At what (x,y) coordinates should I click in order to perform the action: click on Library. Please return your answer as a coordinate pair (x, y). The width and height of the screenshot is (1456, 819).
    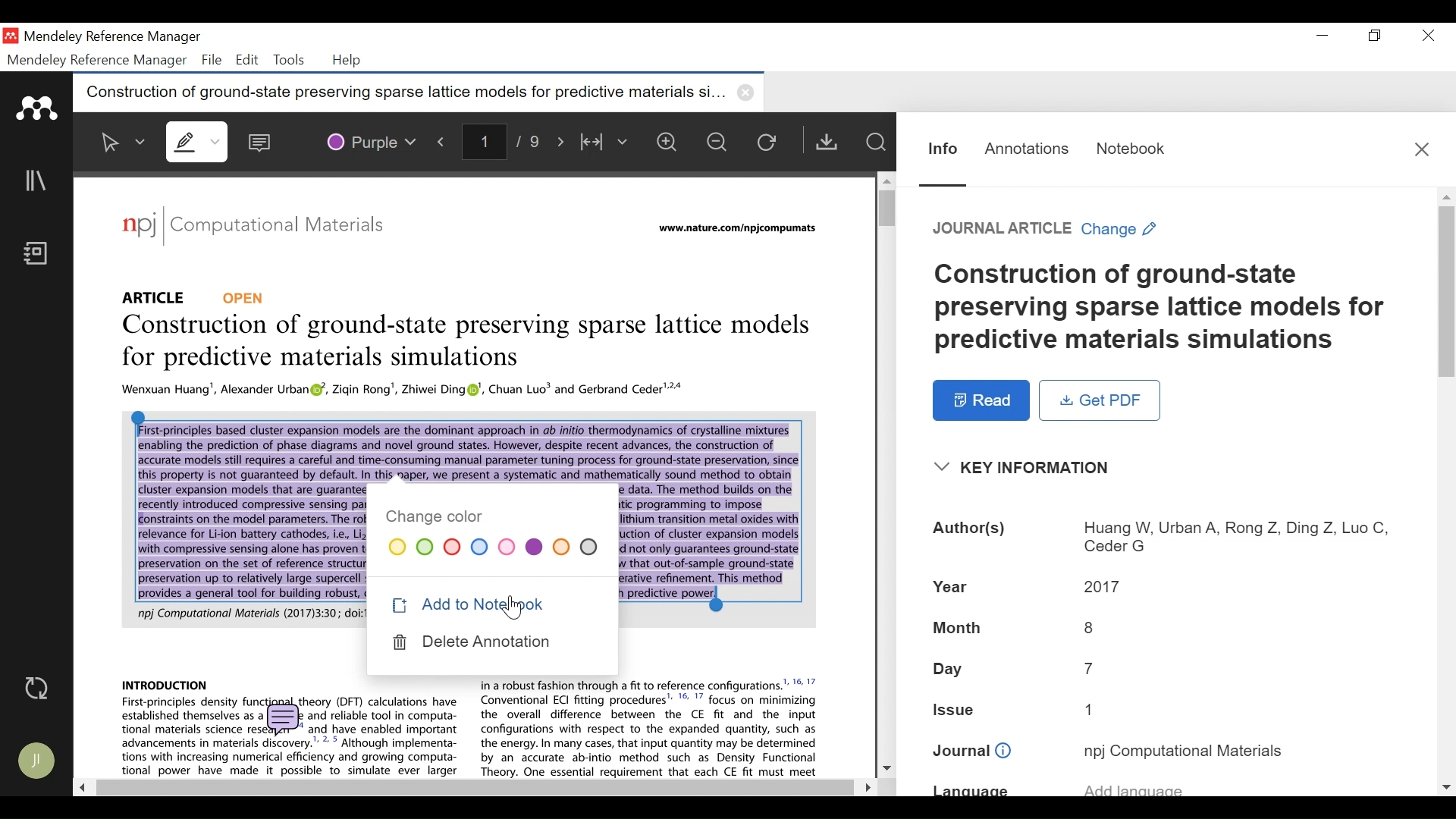
    Looking at the image, I should click on (37, 180).